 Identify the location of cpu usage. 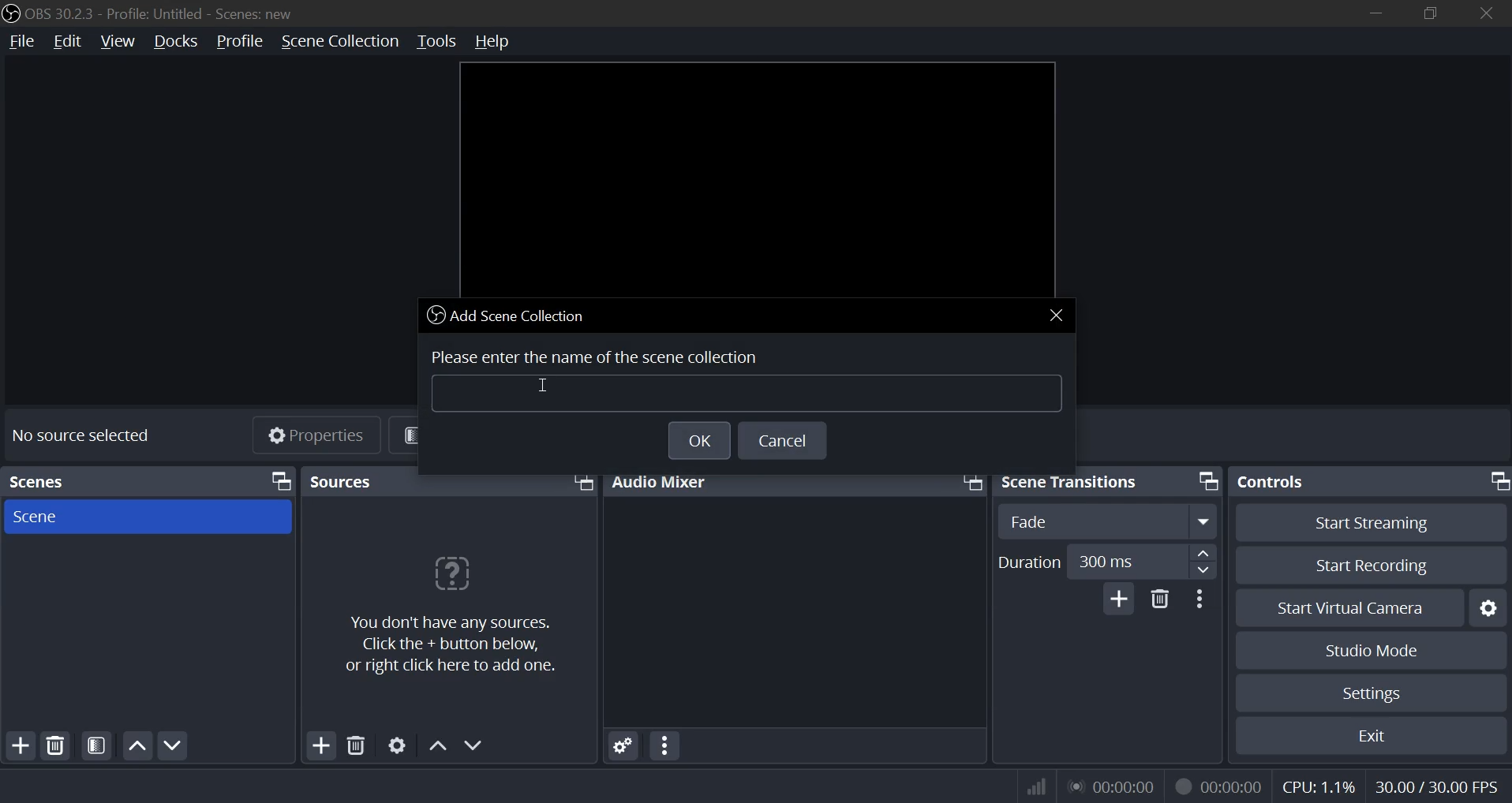
(1317, 788).